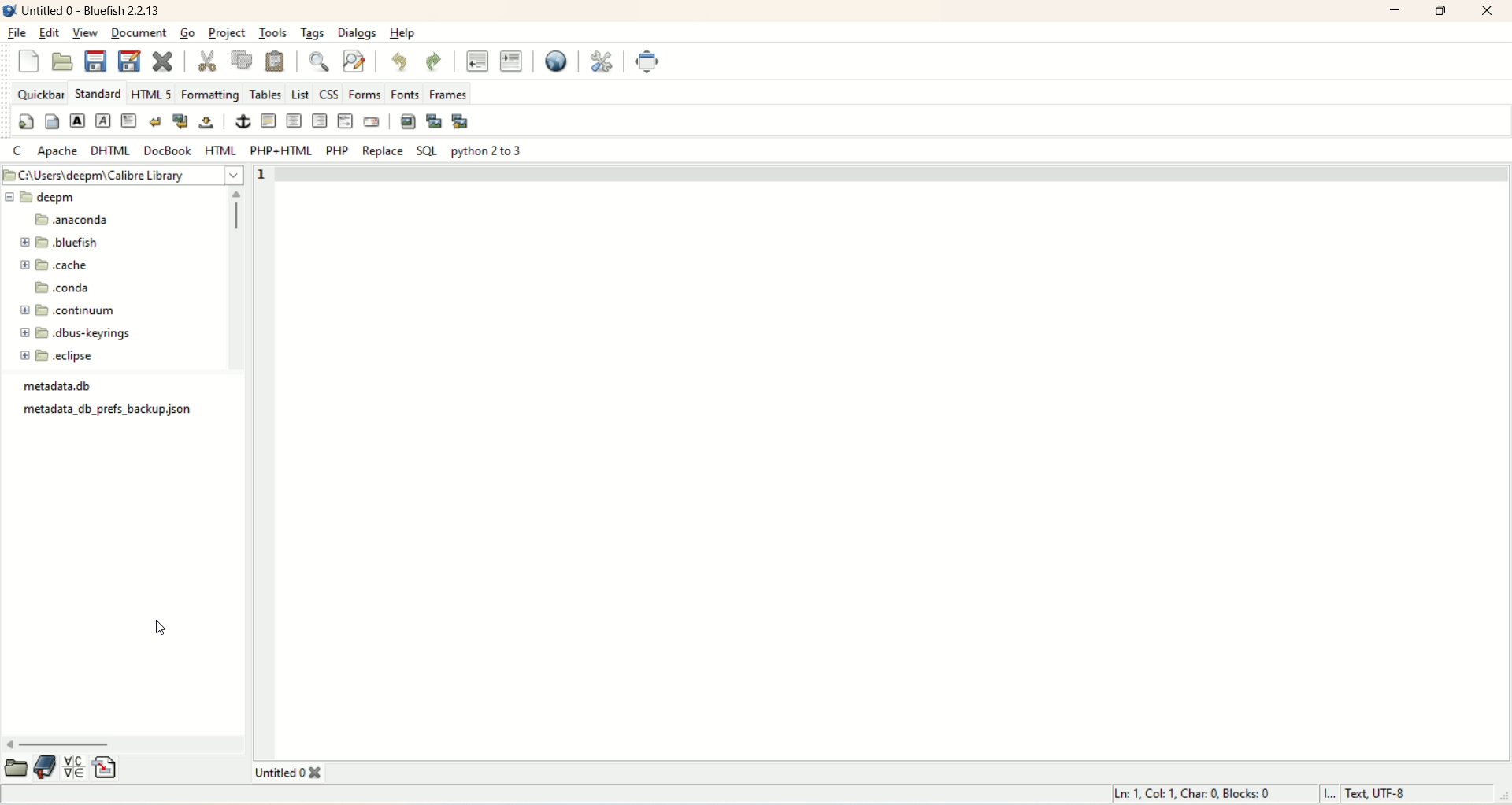 The width and height of the screenshot is (1512, 805). I want to click on naconda, so click(77, 222).